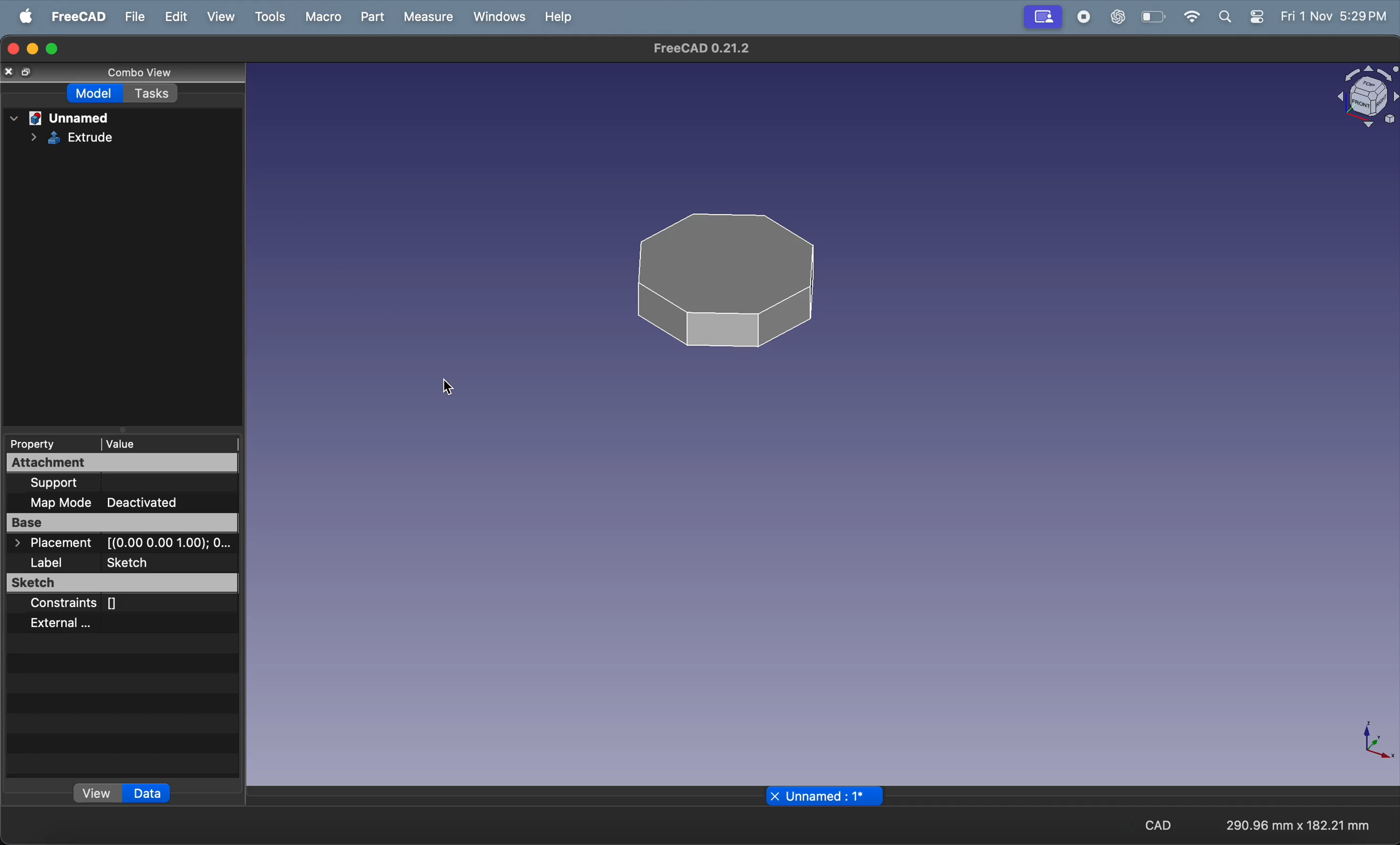  Describe the element at coordinates (21, 18) in the screenshot. I see `apple menu` at that location.